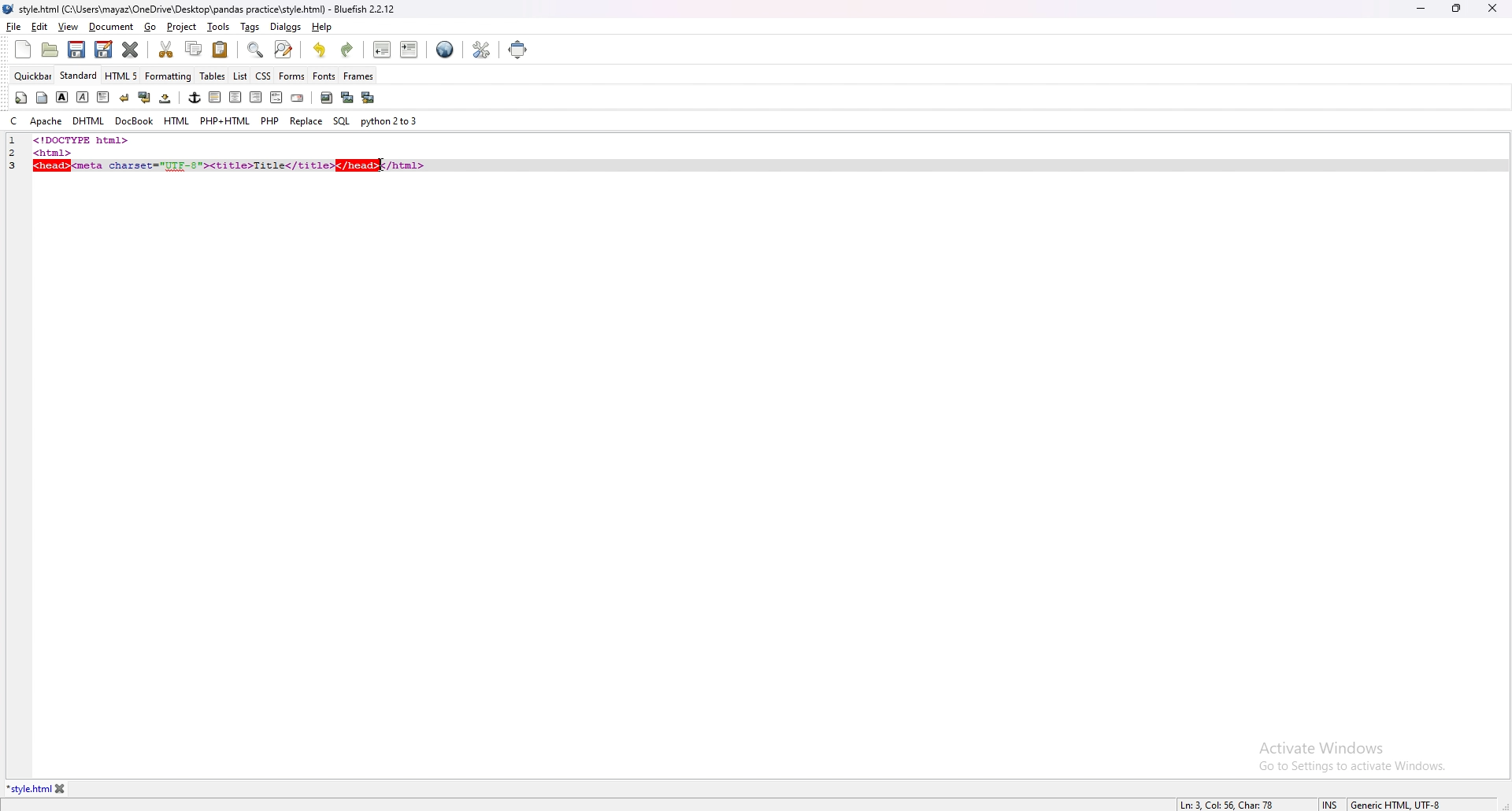 The width and height of the screenshot is (1512, 811). I want to click on tables, so click(213, 76).